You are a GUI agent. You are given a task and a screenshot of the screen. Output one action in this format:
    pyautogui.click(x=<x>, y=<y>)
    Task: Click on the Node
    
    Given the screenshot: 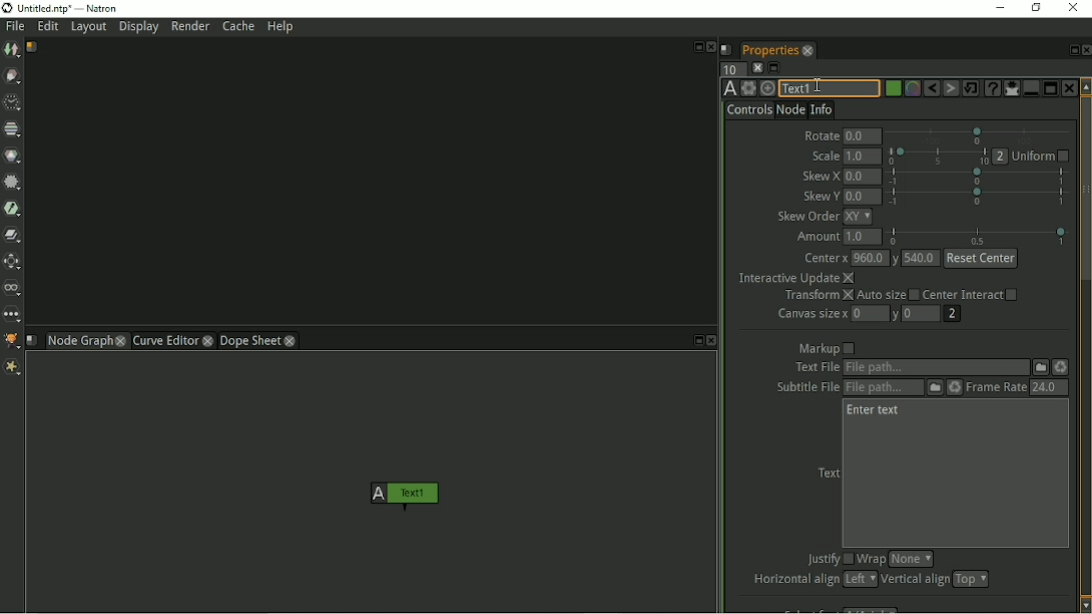 What is the action you would take?
    pyautogui.click(x=790, y=109)
    